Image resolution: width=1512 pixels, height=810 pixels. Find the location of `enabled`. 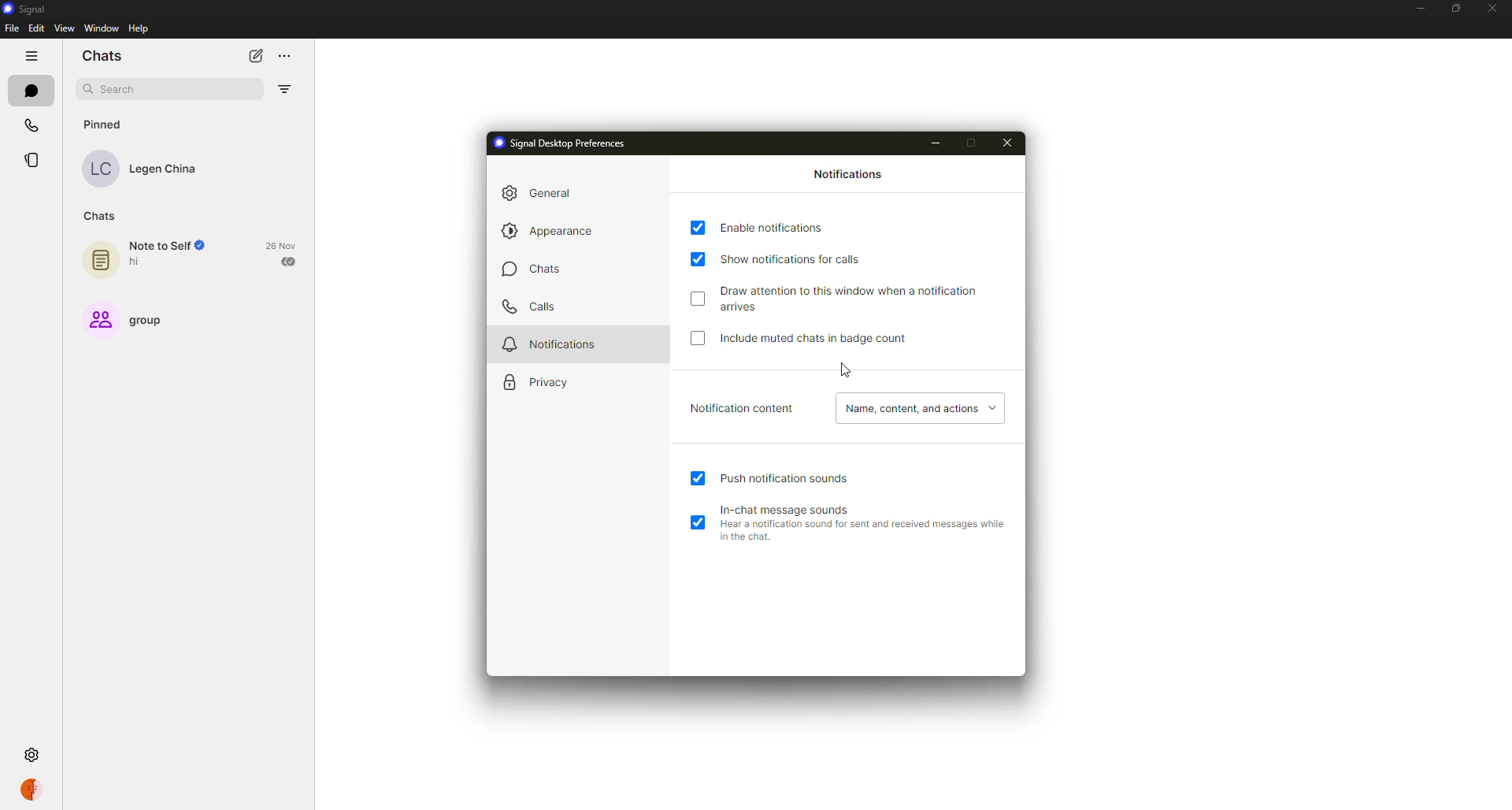

enabled is located at coordinates (697, 260).